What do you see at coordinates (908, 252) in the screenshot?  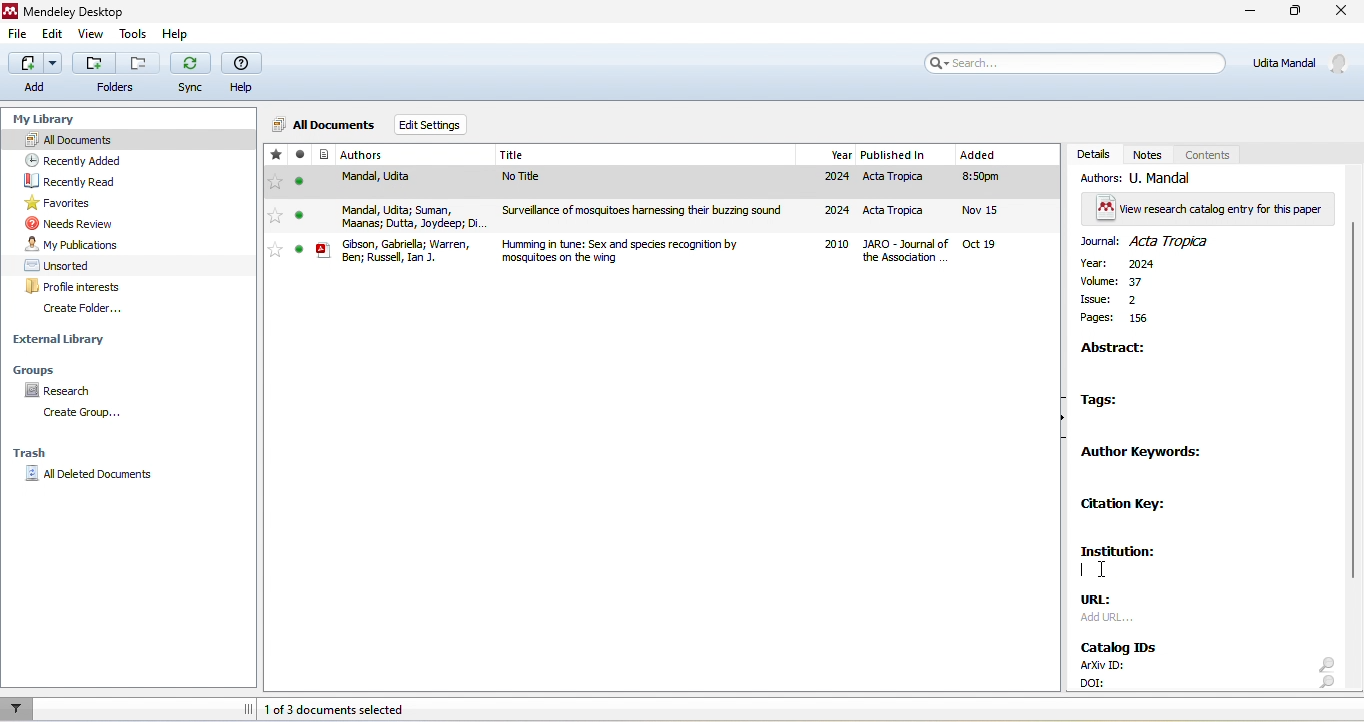 I see `jaro journal of the association` at bounding box center [908, 252].